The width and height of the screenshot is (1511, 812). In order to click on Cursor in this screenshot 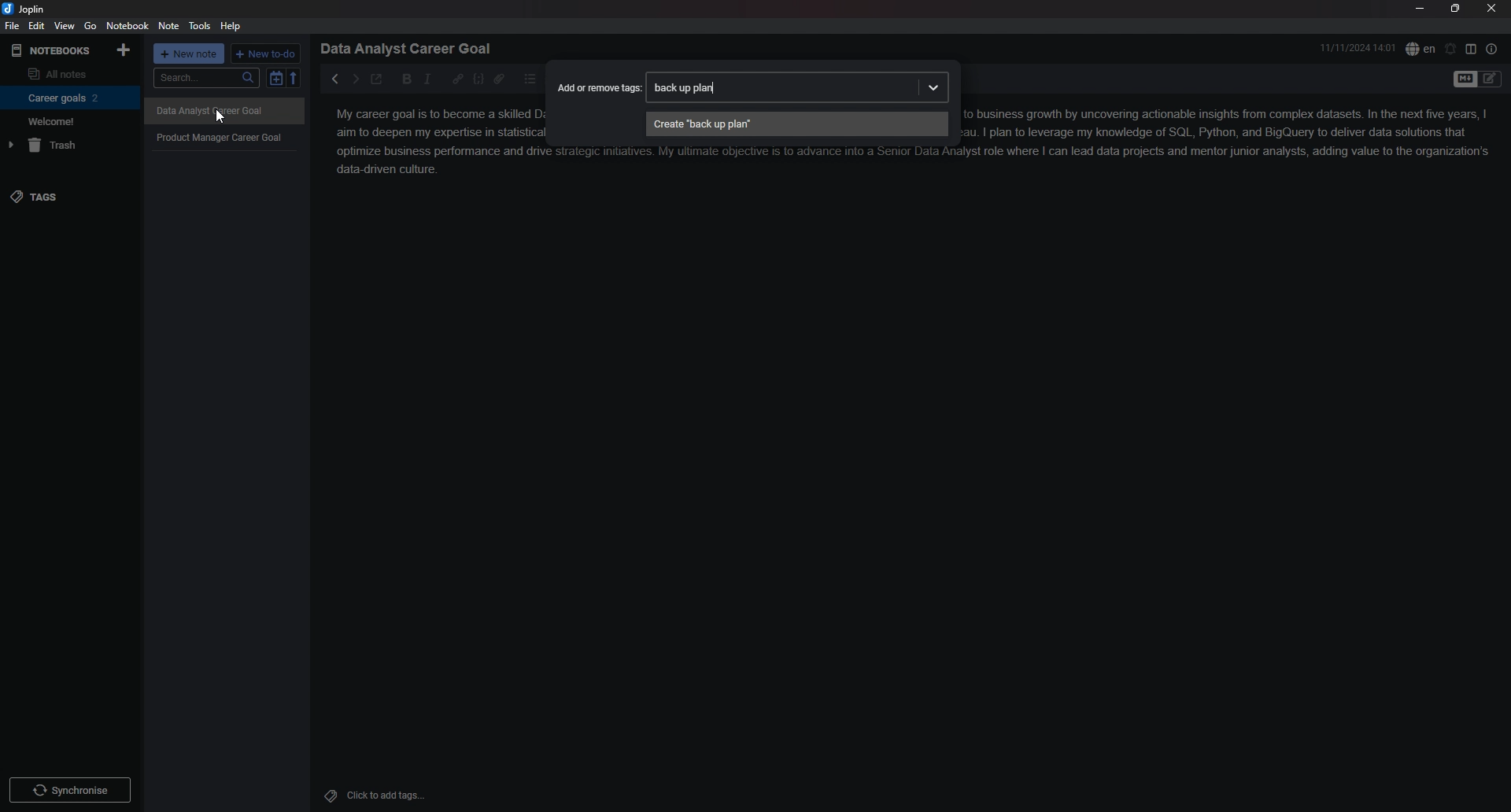, I will do `click(220, 118)`.